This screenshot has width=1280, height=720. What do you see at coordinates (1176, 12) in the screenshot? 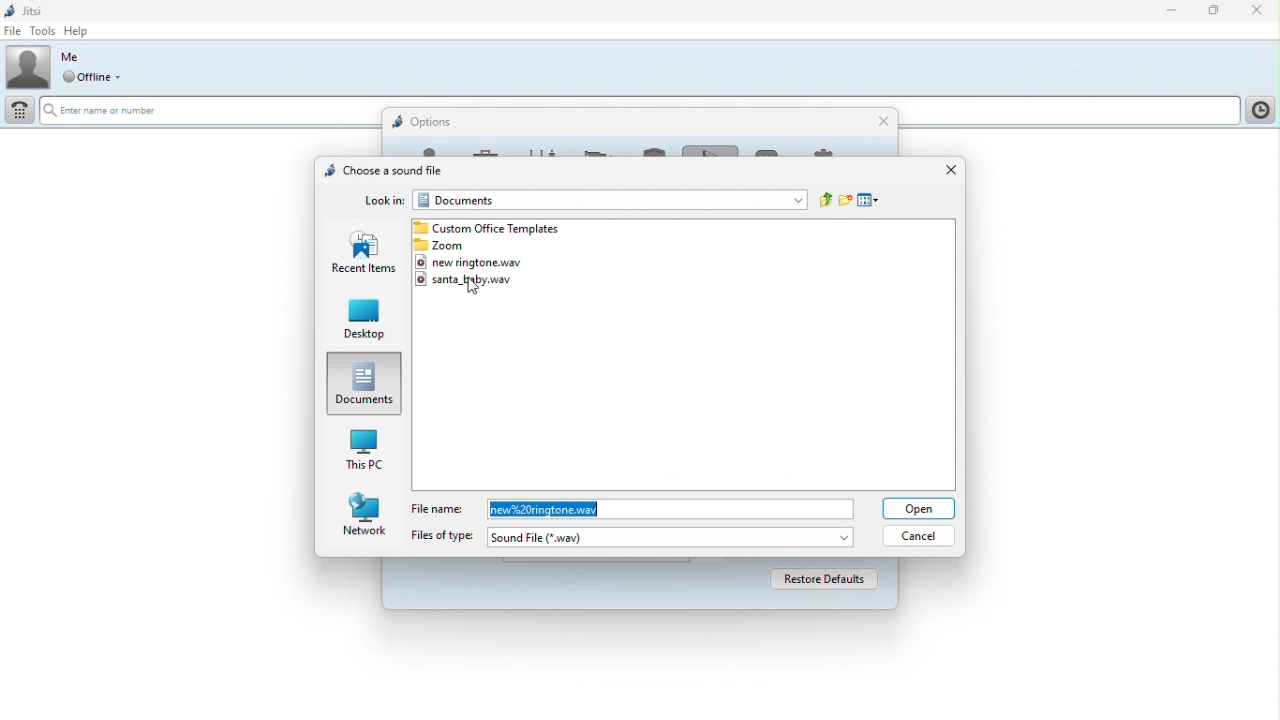
I see `Minimise` at bounding box center [1176, 12].